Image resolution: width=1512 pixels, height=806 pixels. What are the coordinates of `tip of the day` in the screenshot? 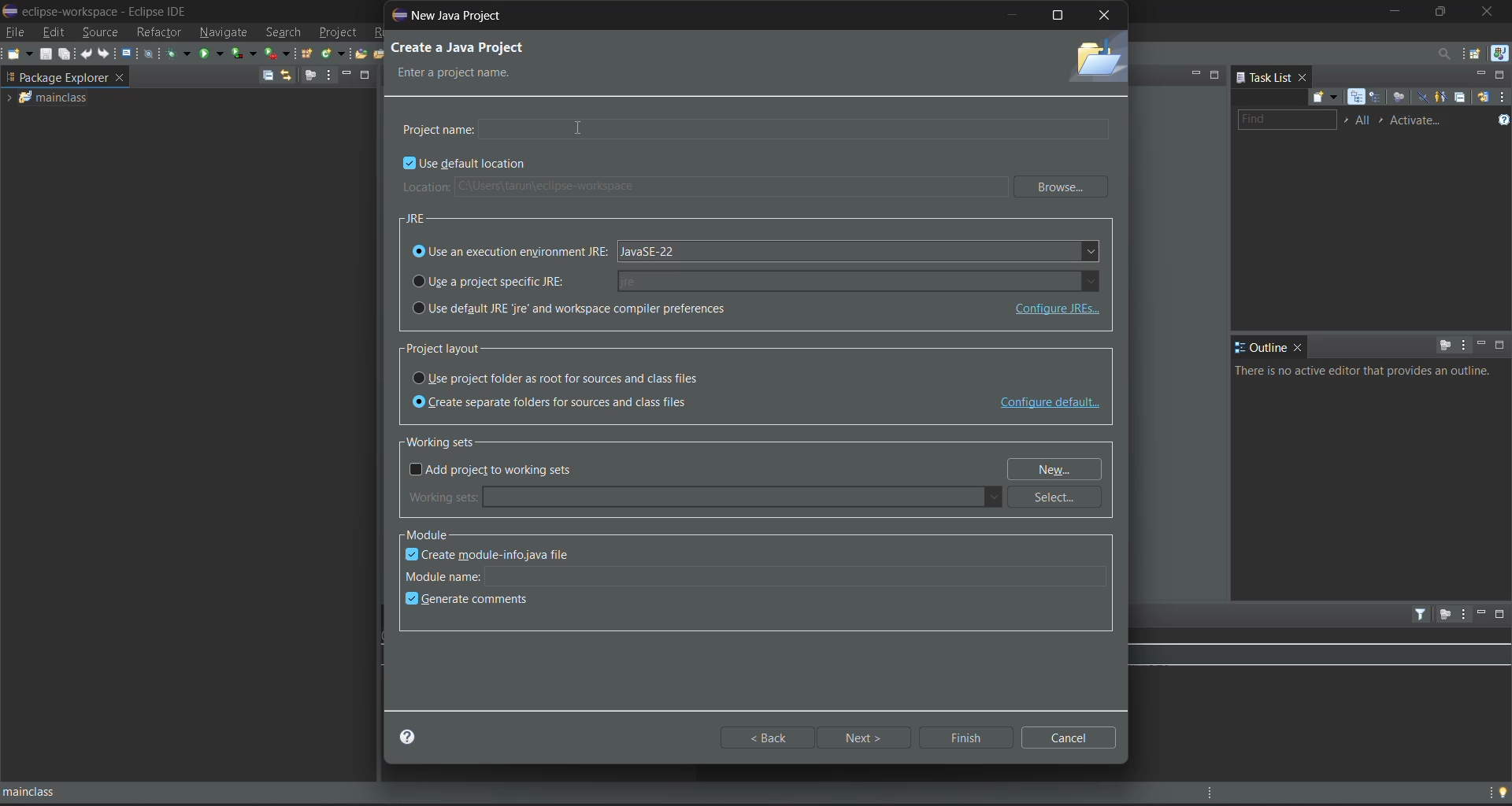 It's located at (1502, 790).